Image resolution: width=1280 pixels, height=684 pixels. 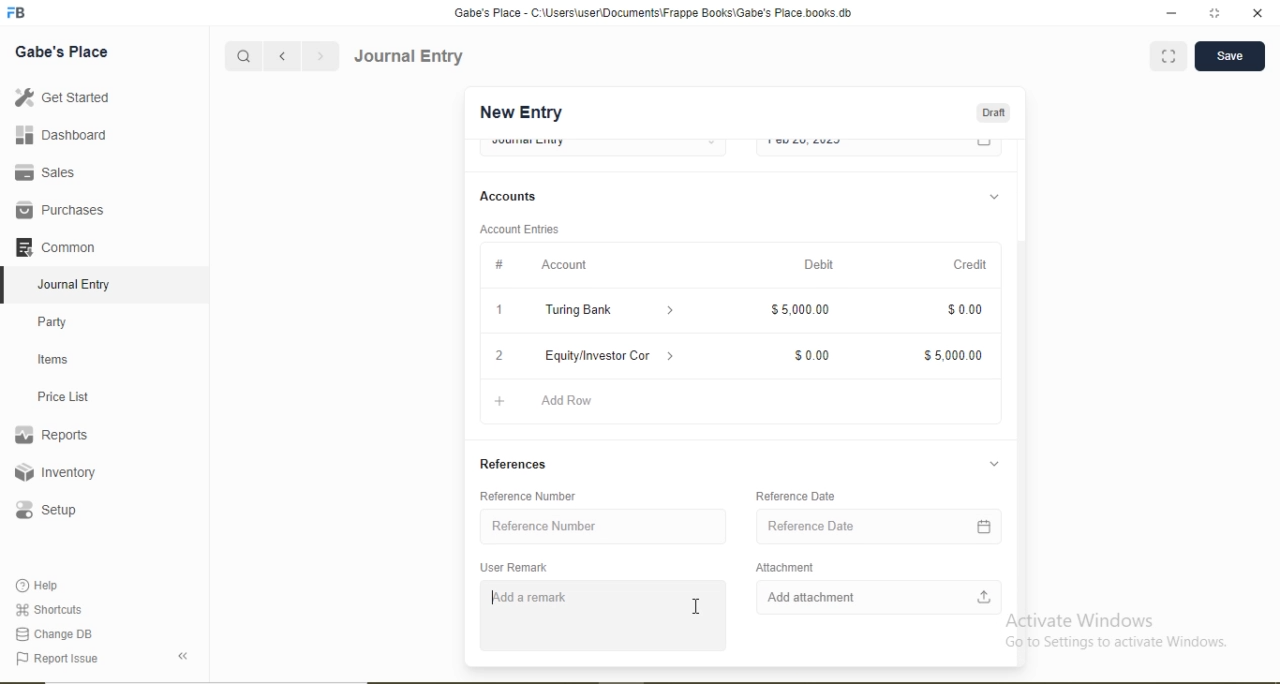 What do you see at coordinates (993, 198) in the screenshot?
I see `Dropdown` at bounding box center [993, 198].